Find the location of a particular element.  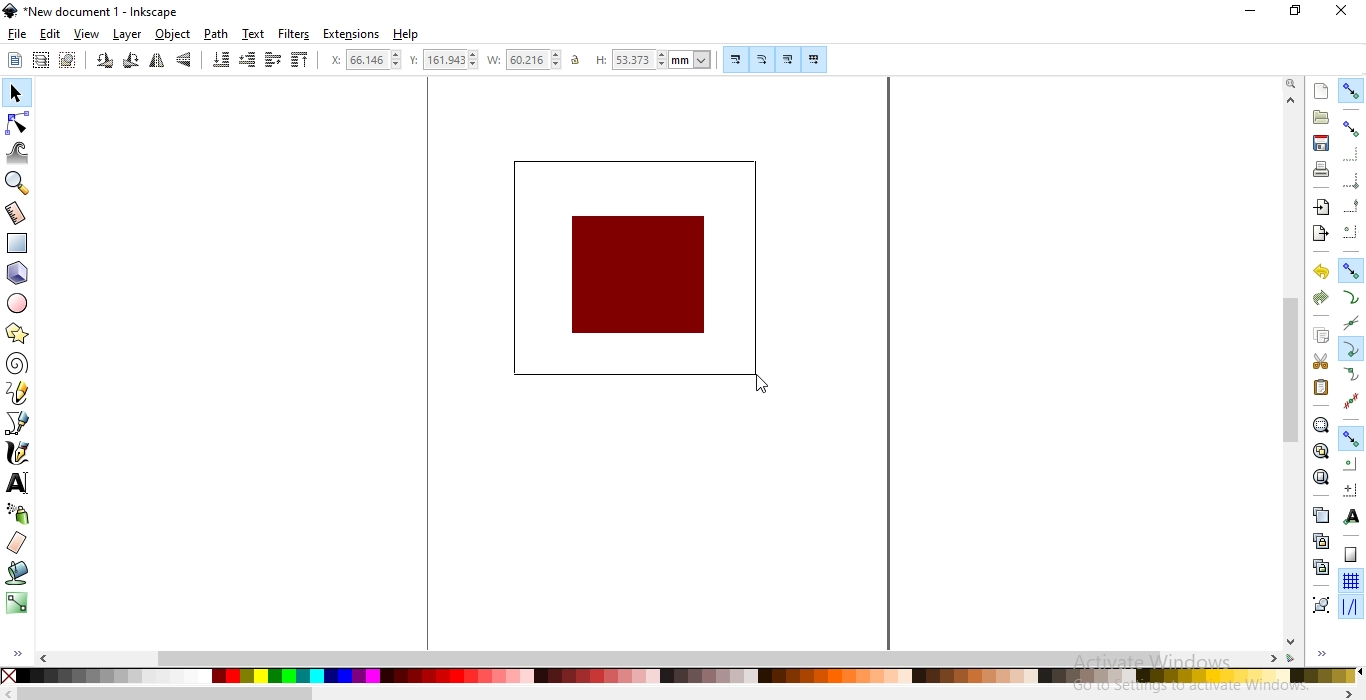

scrollbar is located at coordinates (1291, 368).